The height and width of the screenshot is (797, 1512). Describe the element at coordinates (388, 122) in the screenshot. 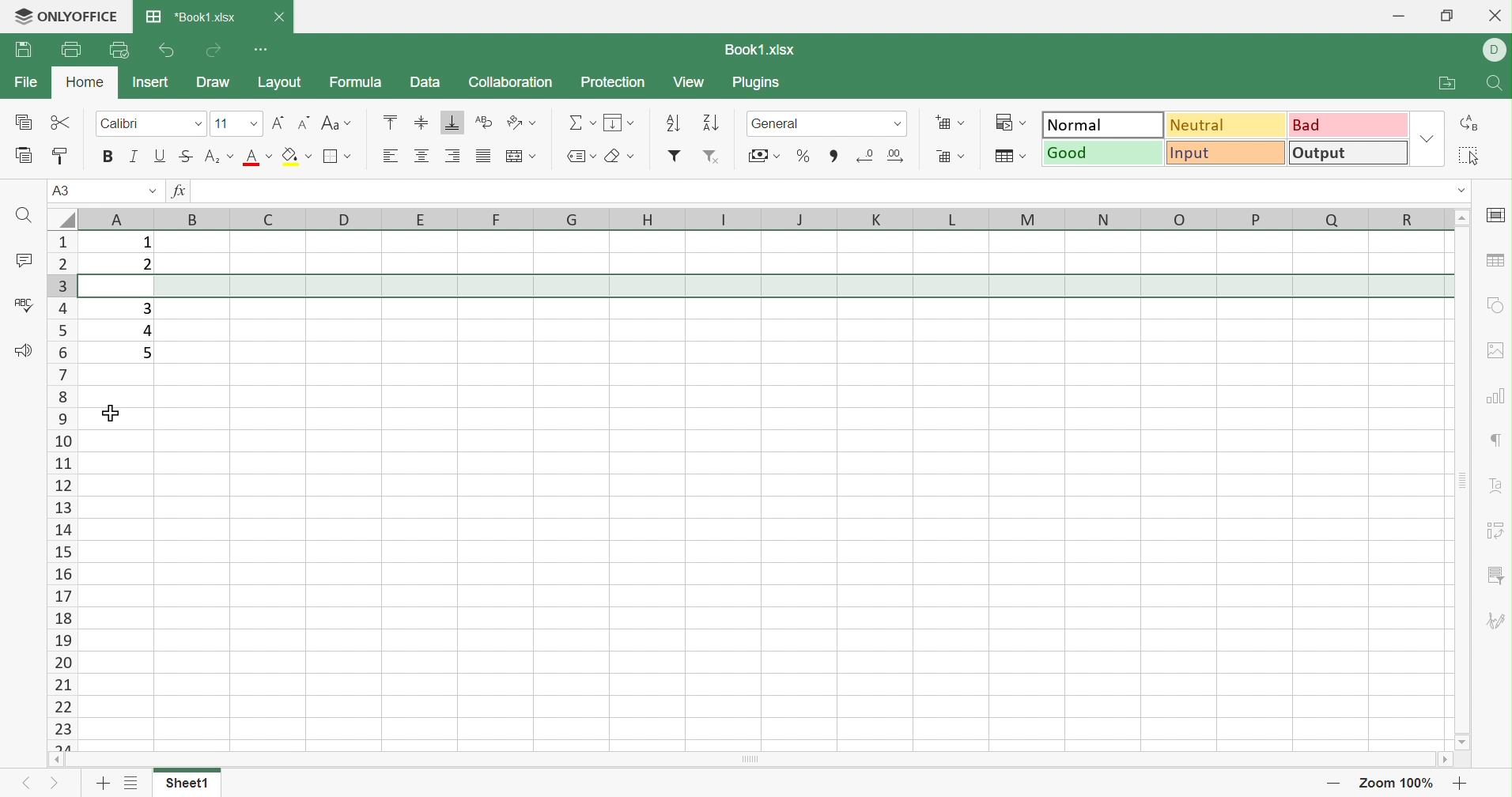

I see `Align Top` at that location.